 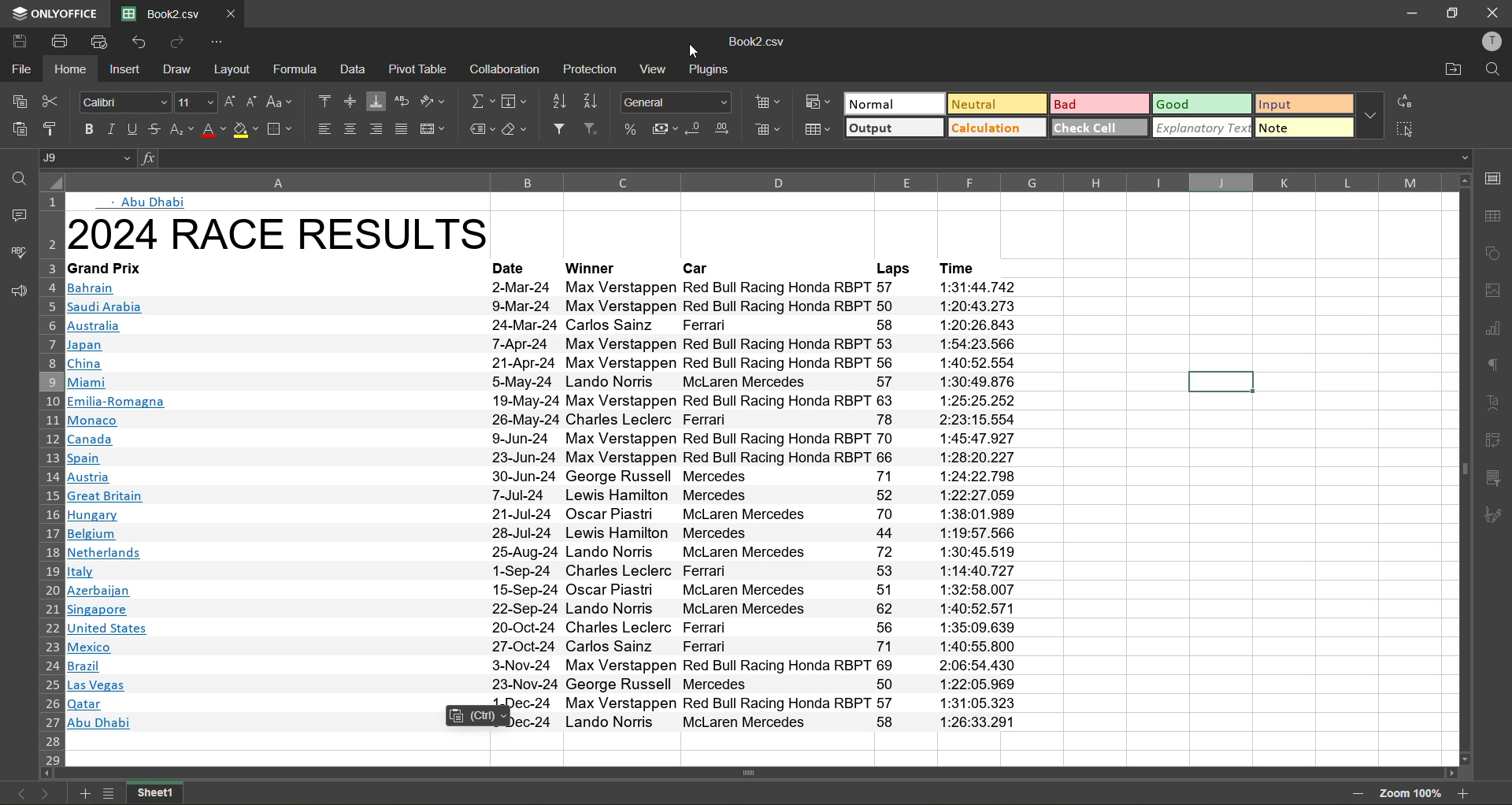 I want to click on sort descending, so click(x=589, y=102).